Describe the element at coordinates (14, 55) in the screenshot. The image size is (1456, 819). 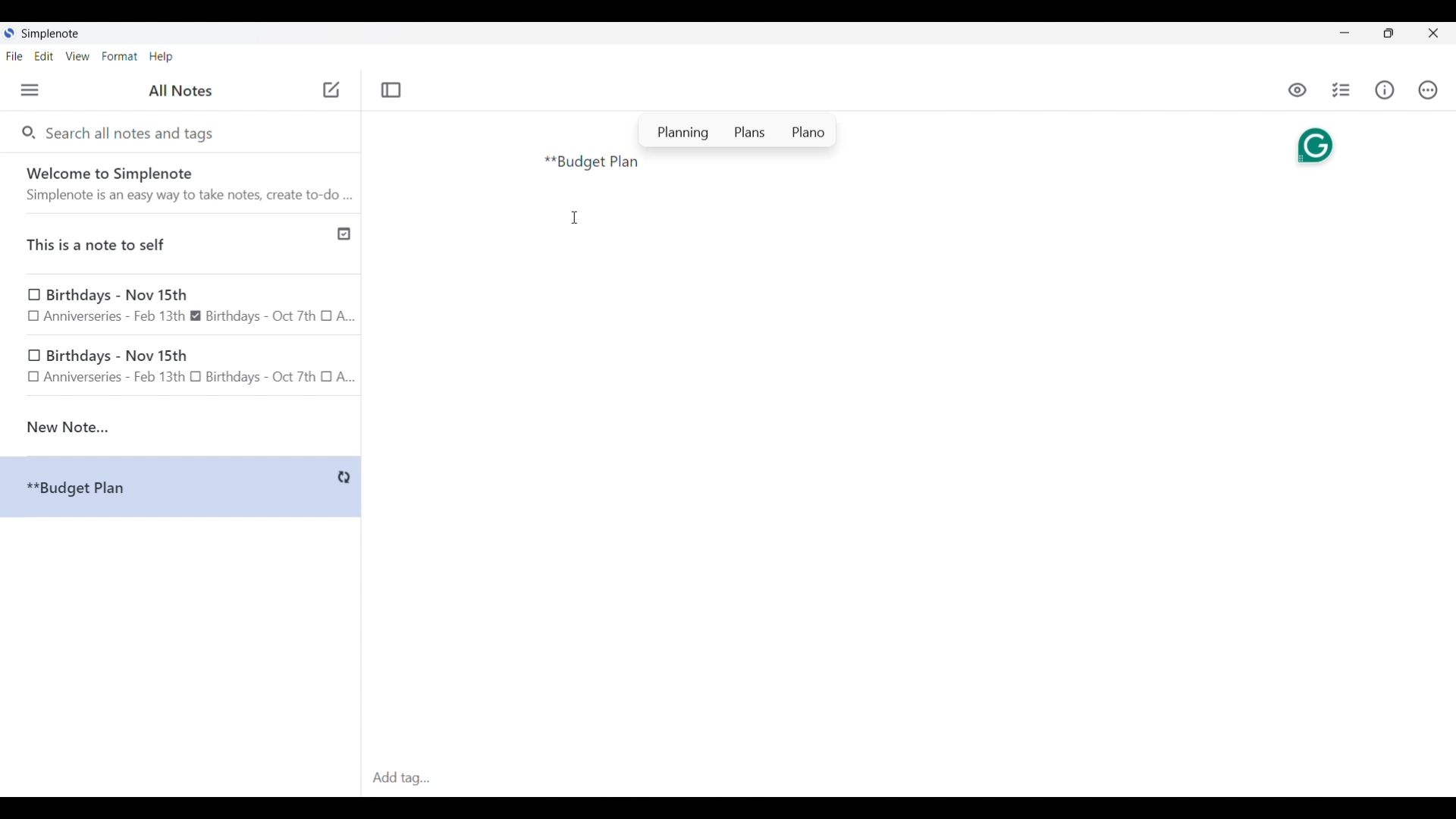
I see `File menu` at that location.